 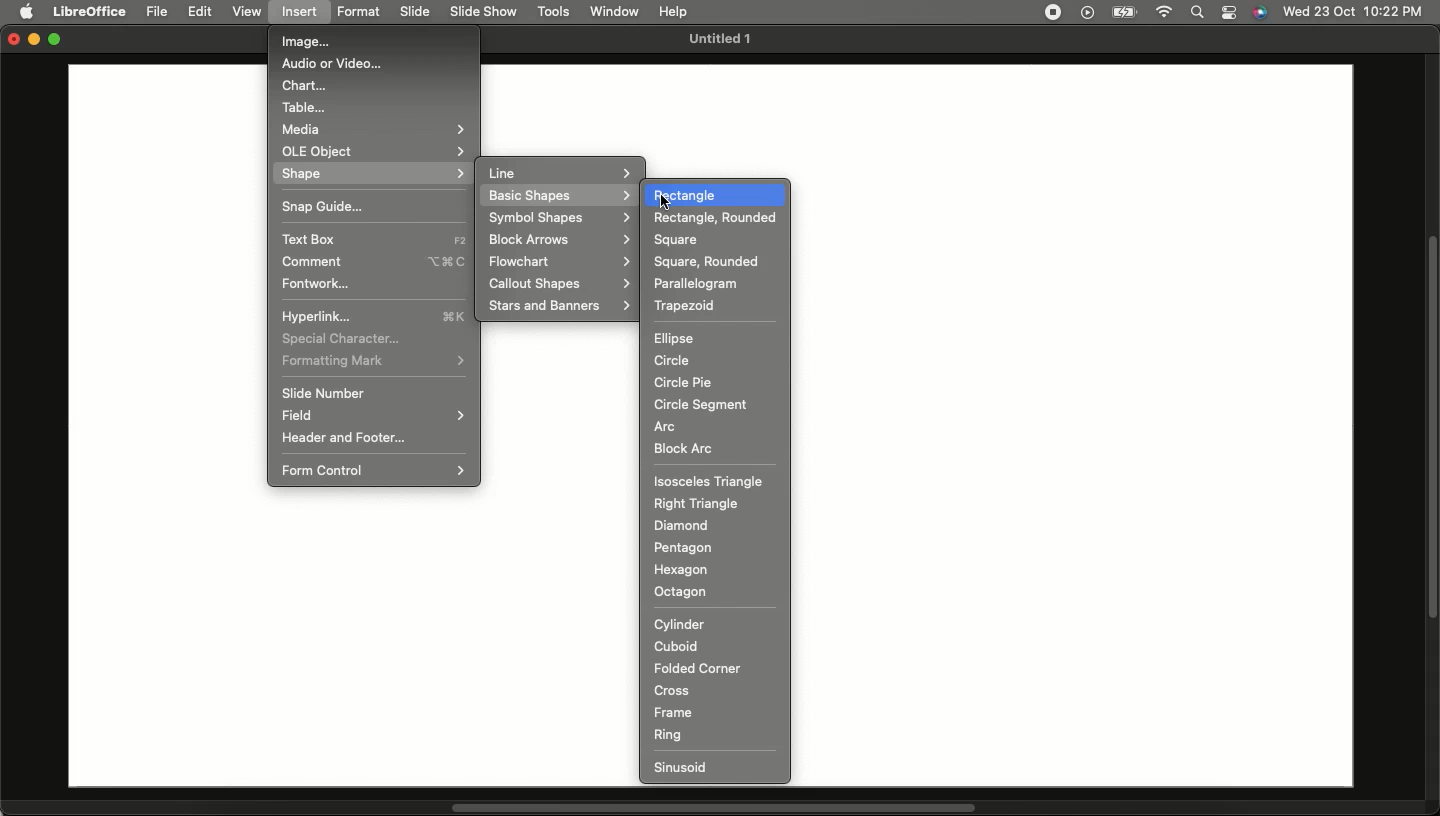 I want to click on Right triangle, so click(x=698, y=505).